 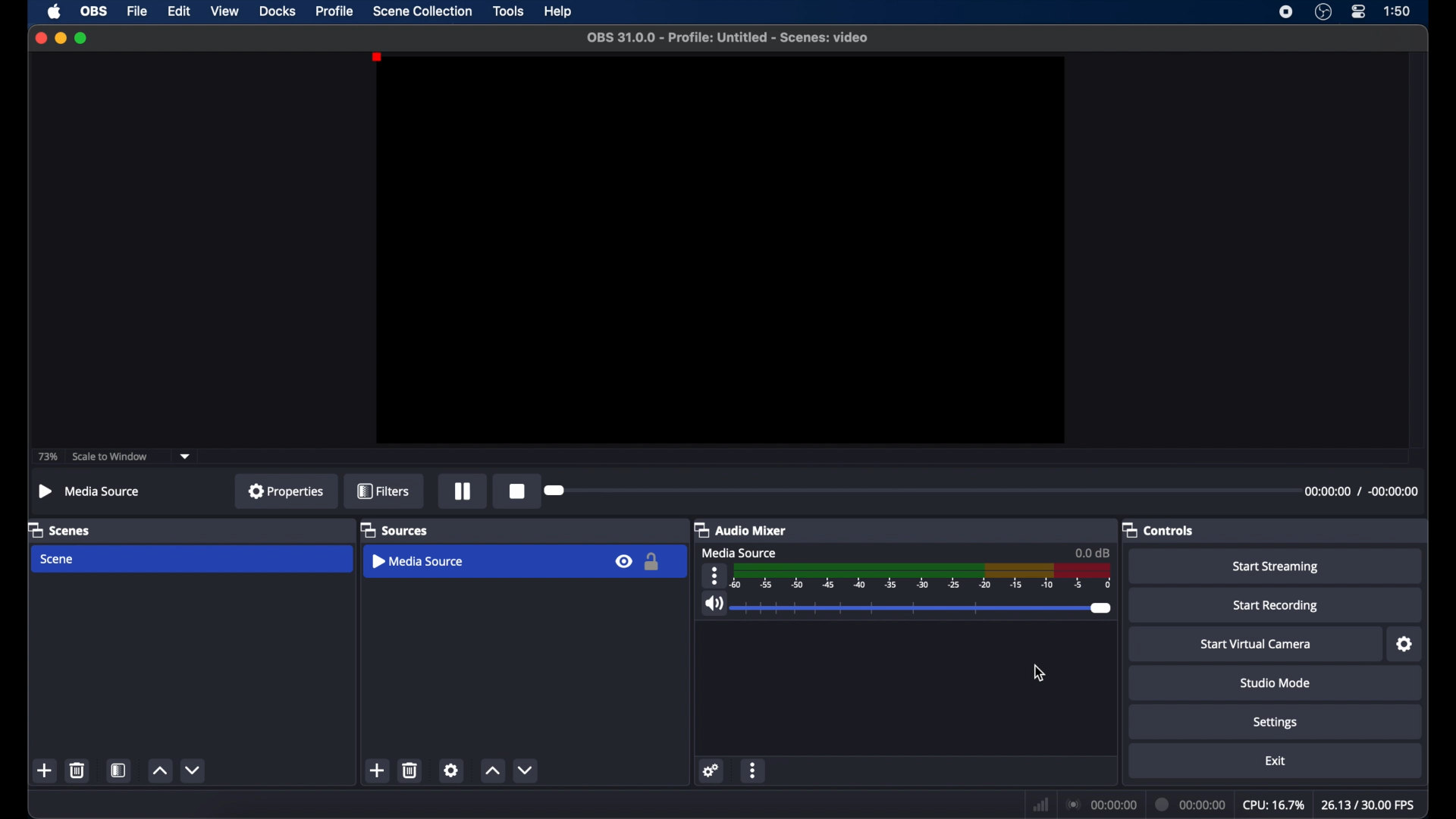 I want to click on settings, so click(x=450, y=771).